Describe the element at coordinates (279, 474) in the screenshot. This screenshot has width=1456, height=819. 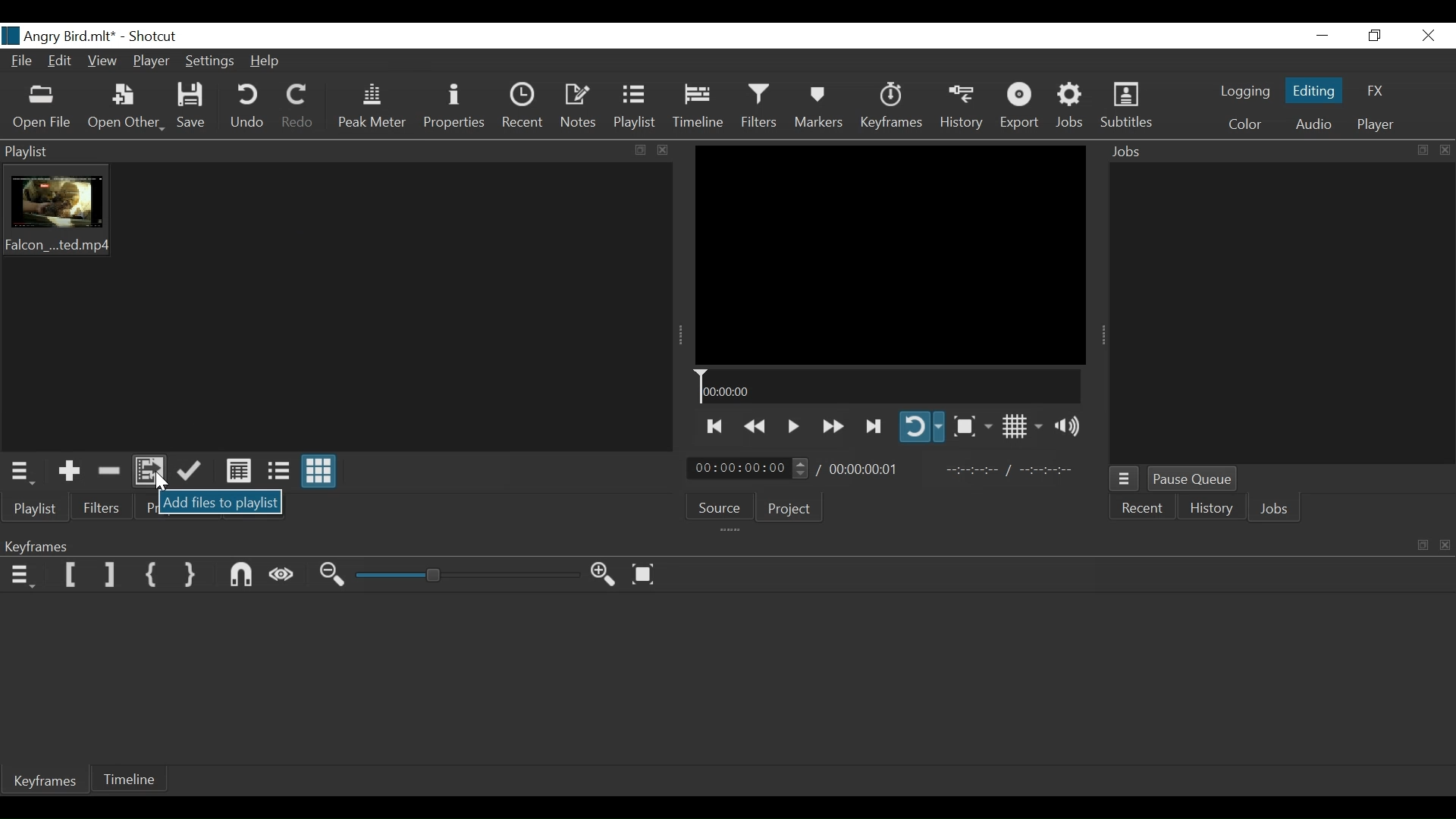
I see `View as Files` at that location.